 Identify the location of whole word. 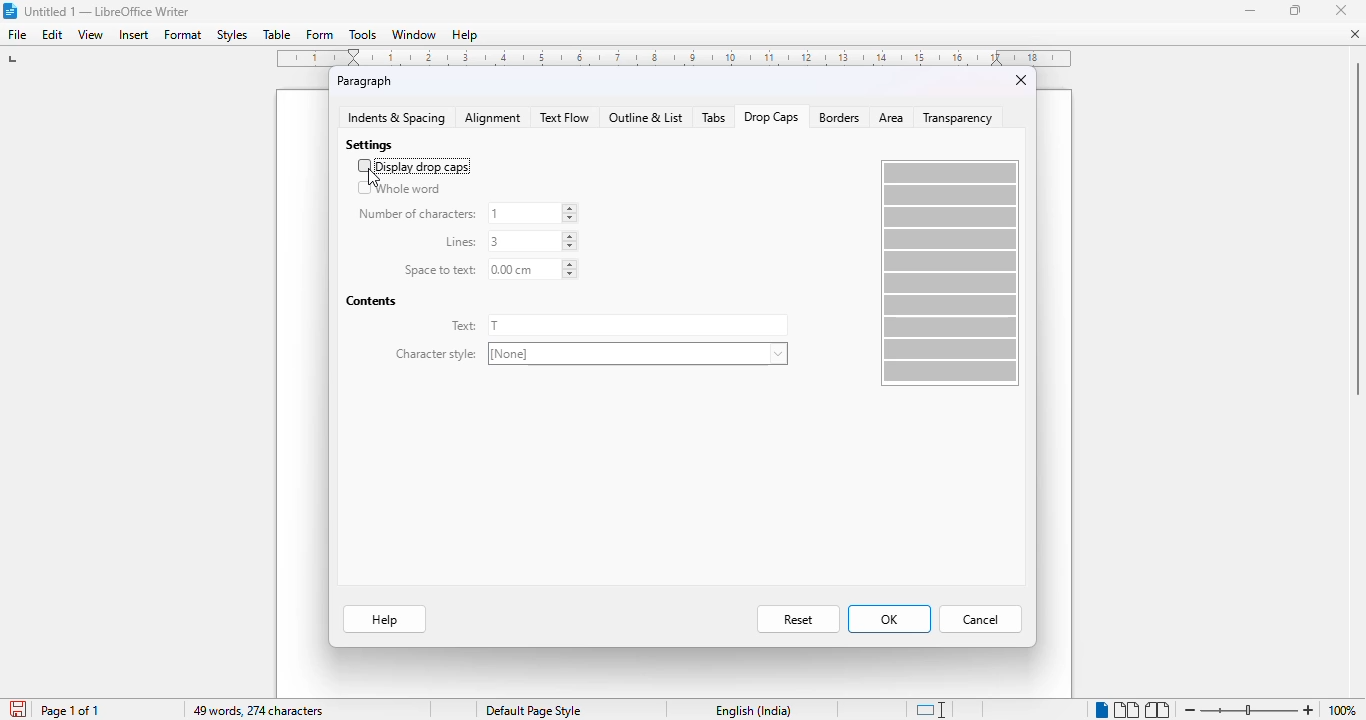
(398, 186).